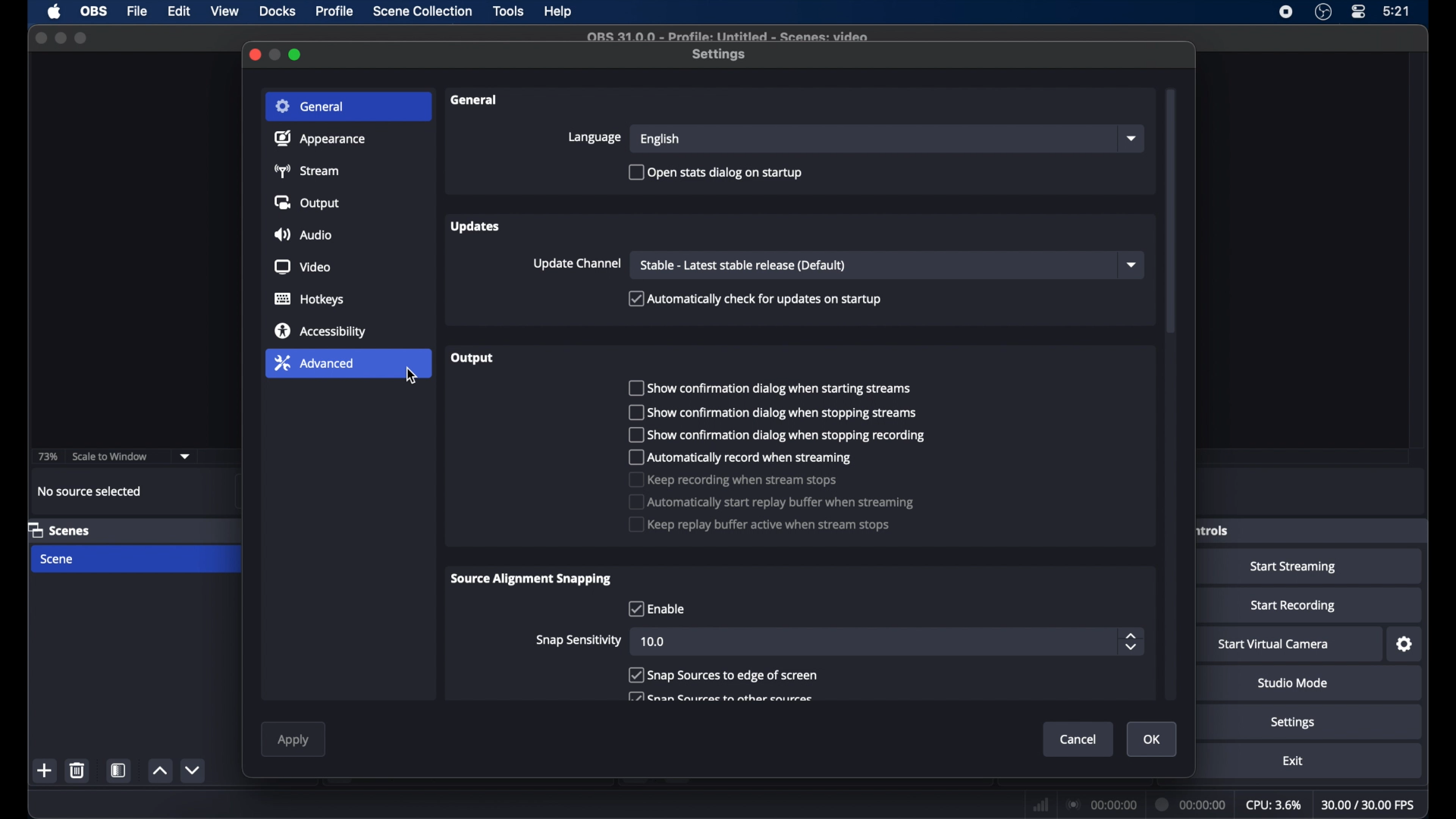 The image size is (1456, 819). I want to click on stepper buttons, so click(1130, 641).